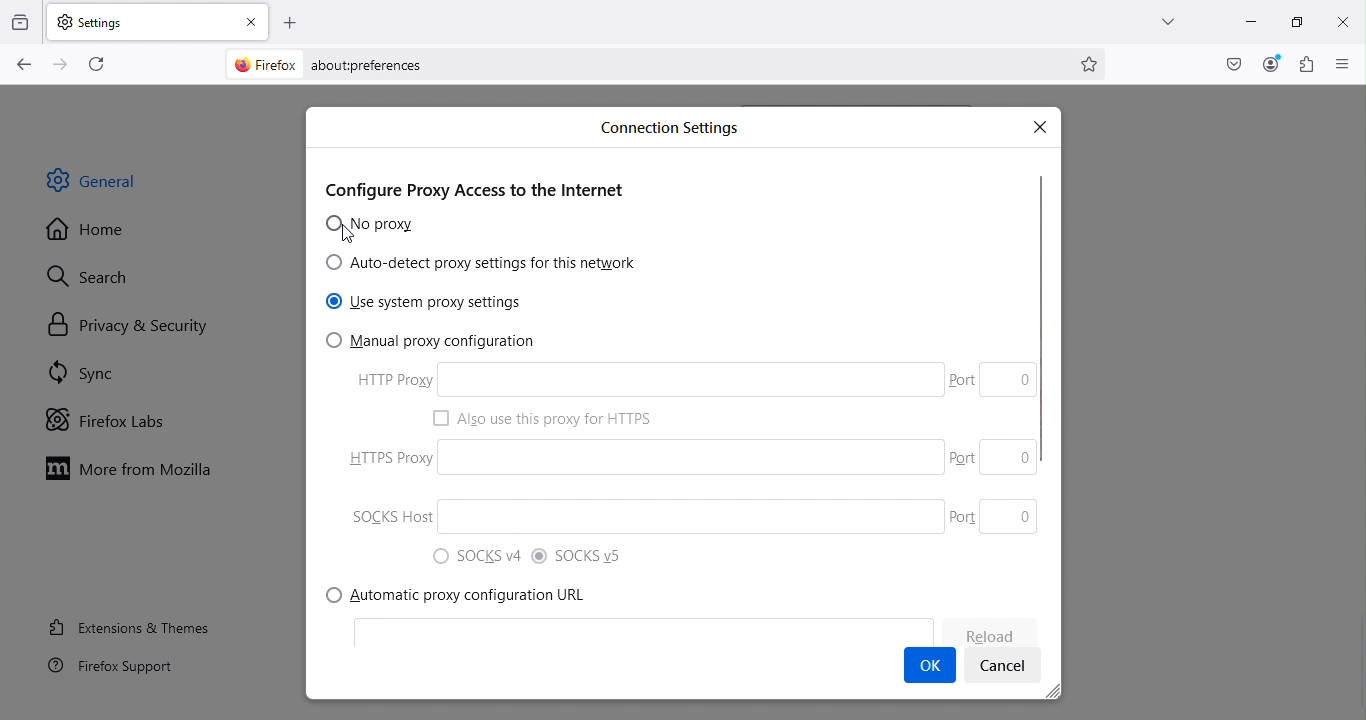 Image resolution: width=1366 pixels, height=720 pixels. Describe the element at coordinates (114, 186) in the screenshot. I see `General` at that location.